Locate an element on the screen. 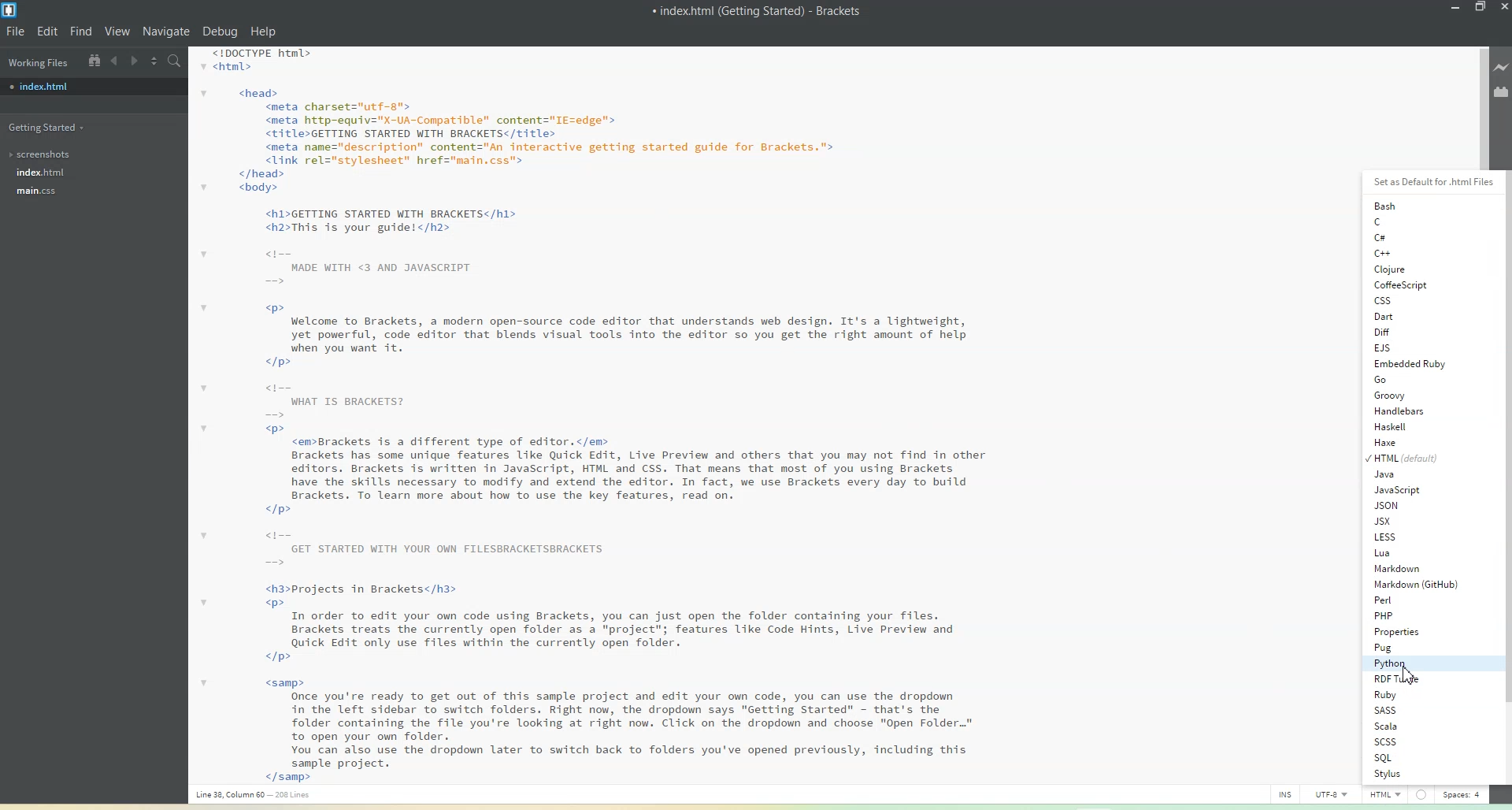  Navigate is located at coordinates (169, 32).